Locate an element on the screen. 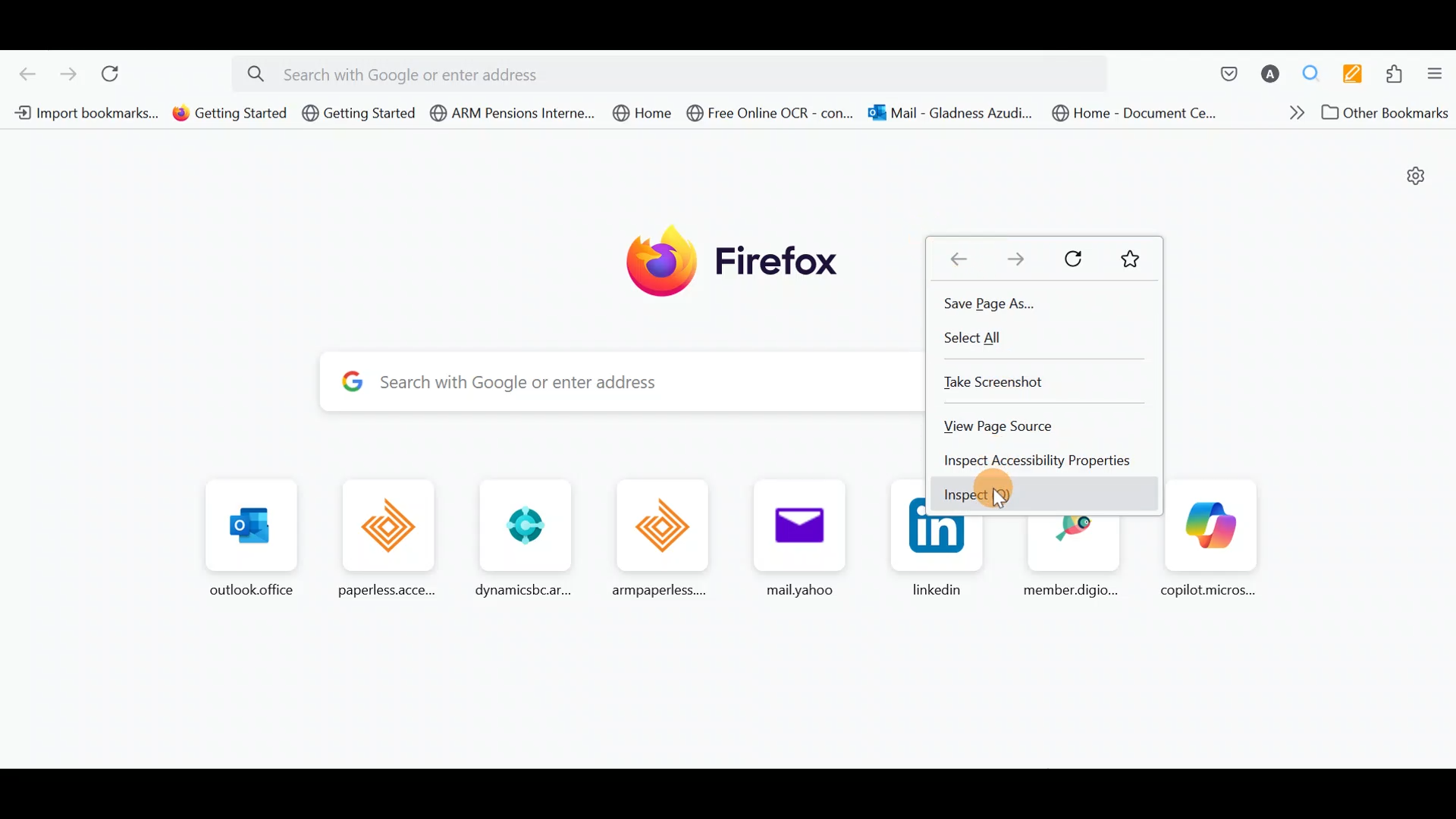 The image size is (1456, 819). Search bar is located at coordinates (677, 71).